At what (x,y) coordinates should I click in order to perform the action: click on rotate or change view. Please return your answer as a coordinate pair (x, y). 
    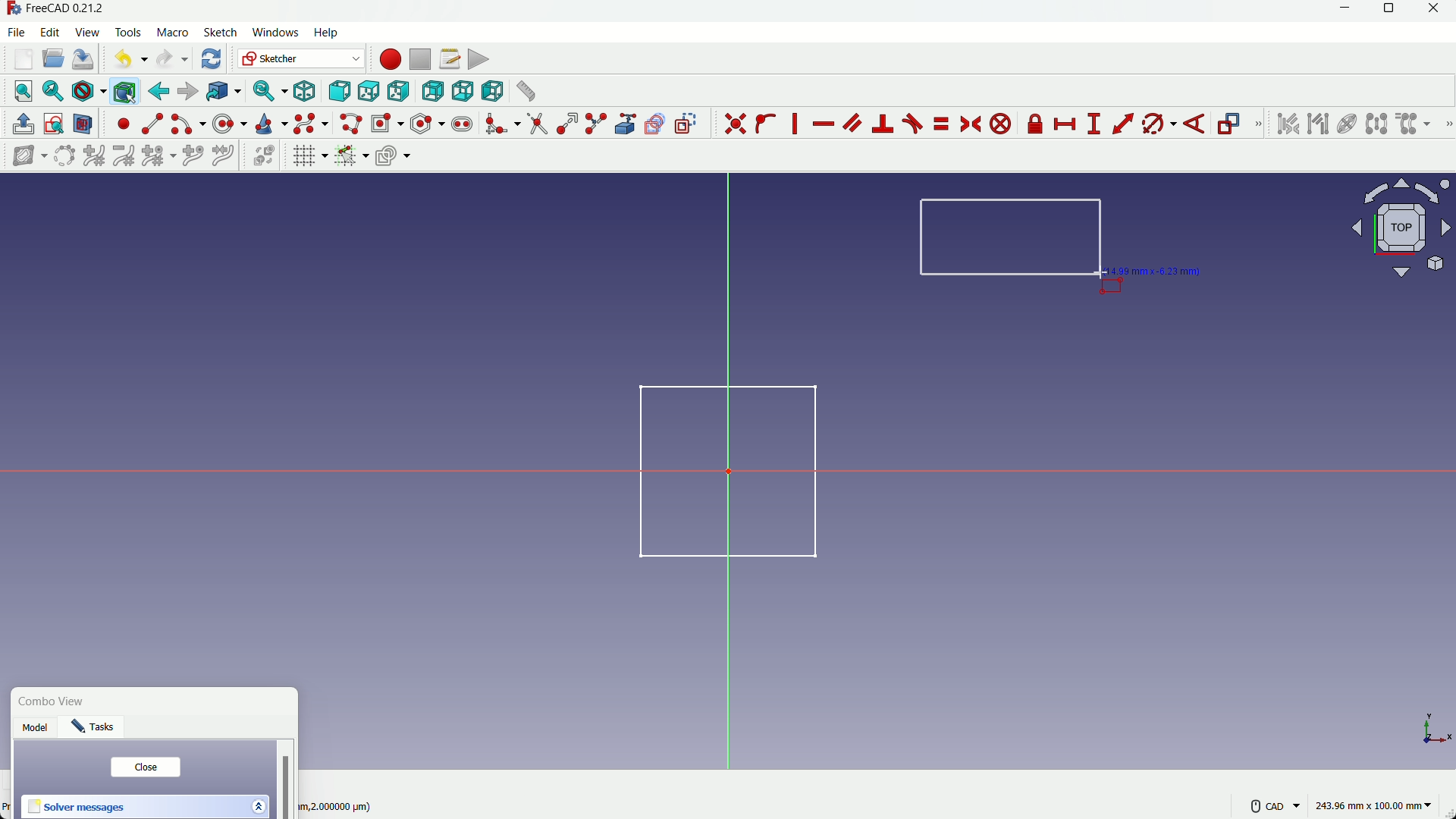
    Looking at the image, I should click on (1402, 227).